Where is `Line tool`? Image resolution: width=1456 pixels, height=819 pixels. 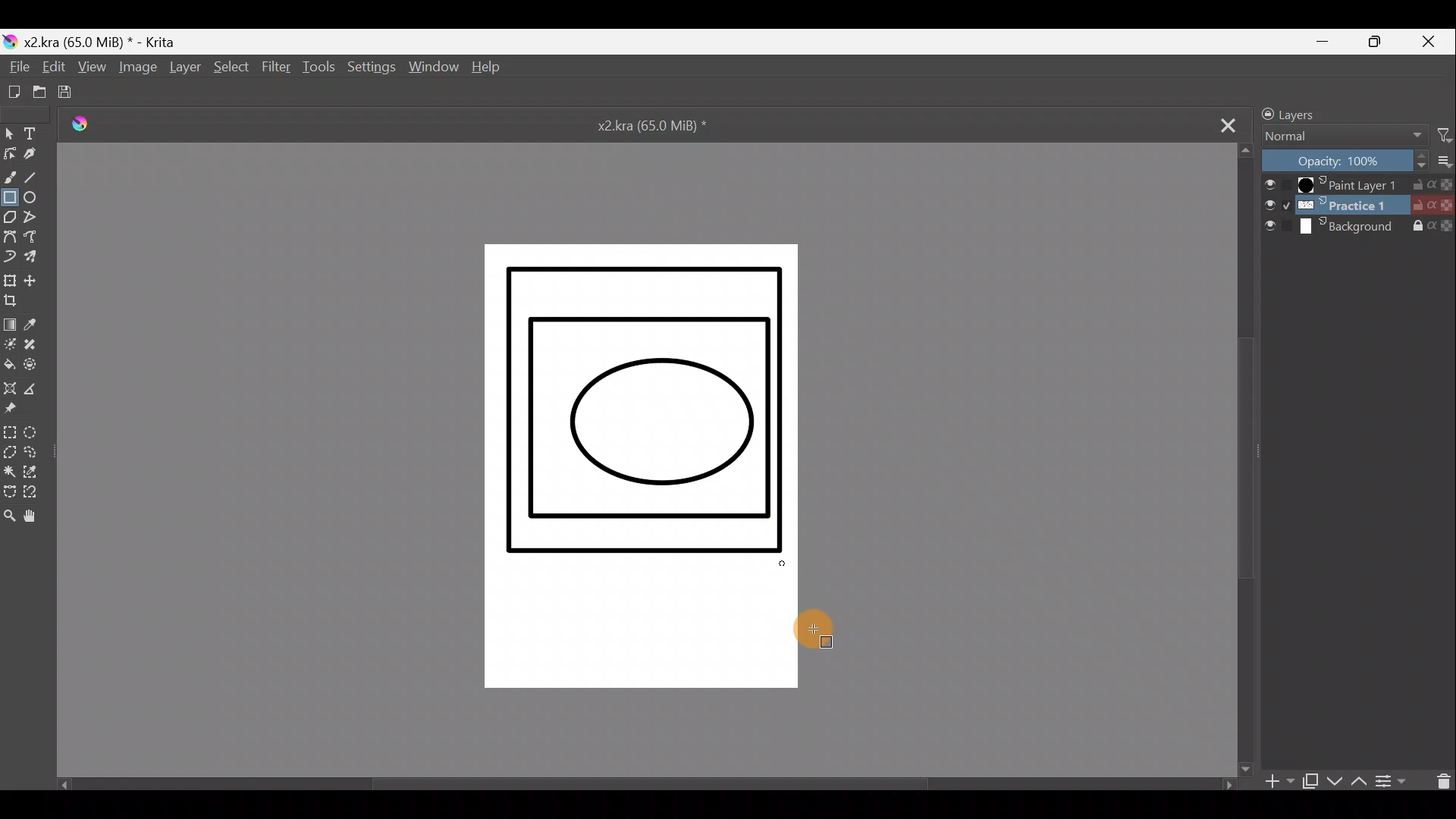 Line tool is located at coordinates (39, 180).